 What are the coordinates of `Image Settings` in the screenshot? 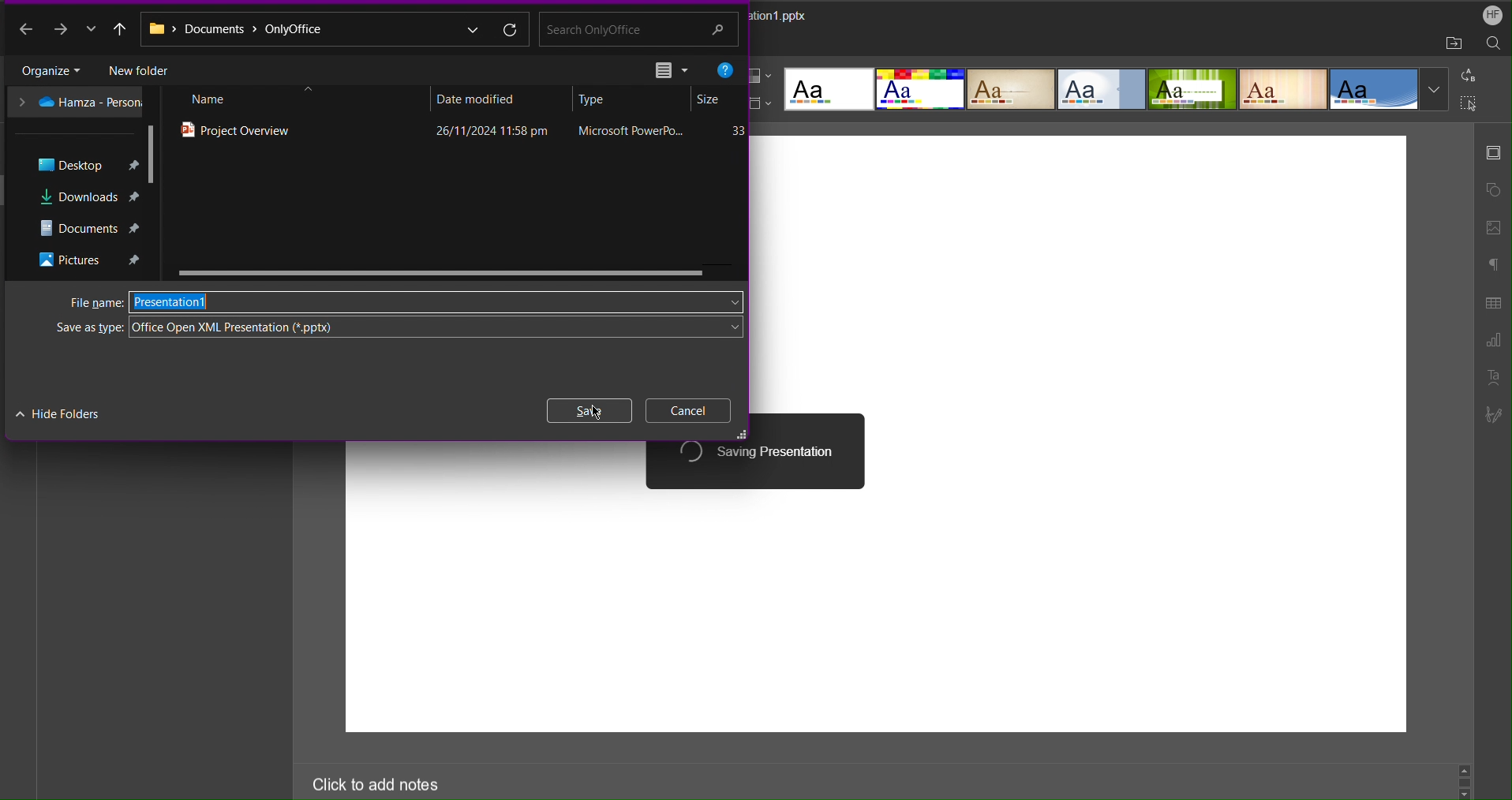 It's located at (1493, 230).